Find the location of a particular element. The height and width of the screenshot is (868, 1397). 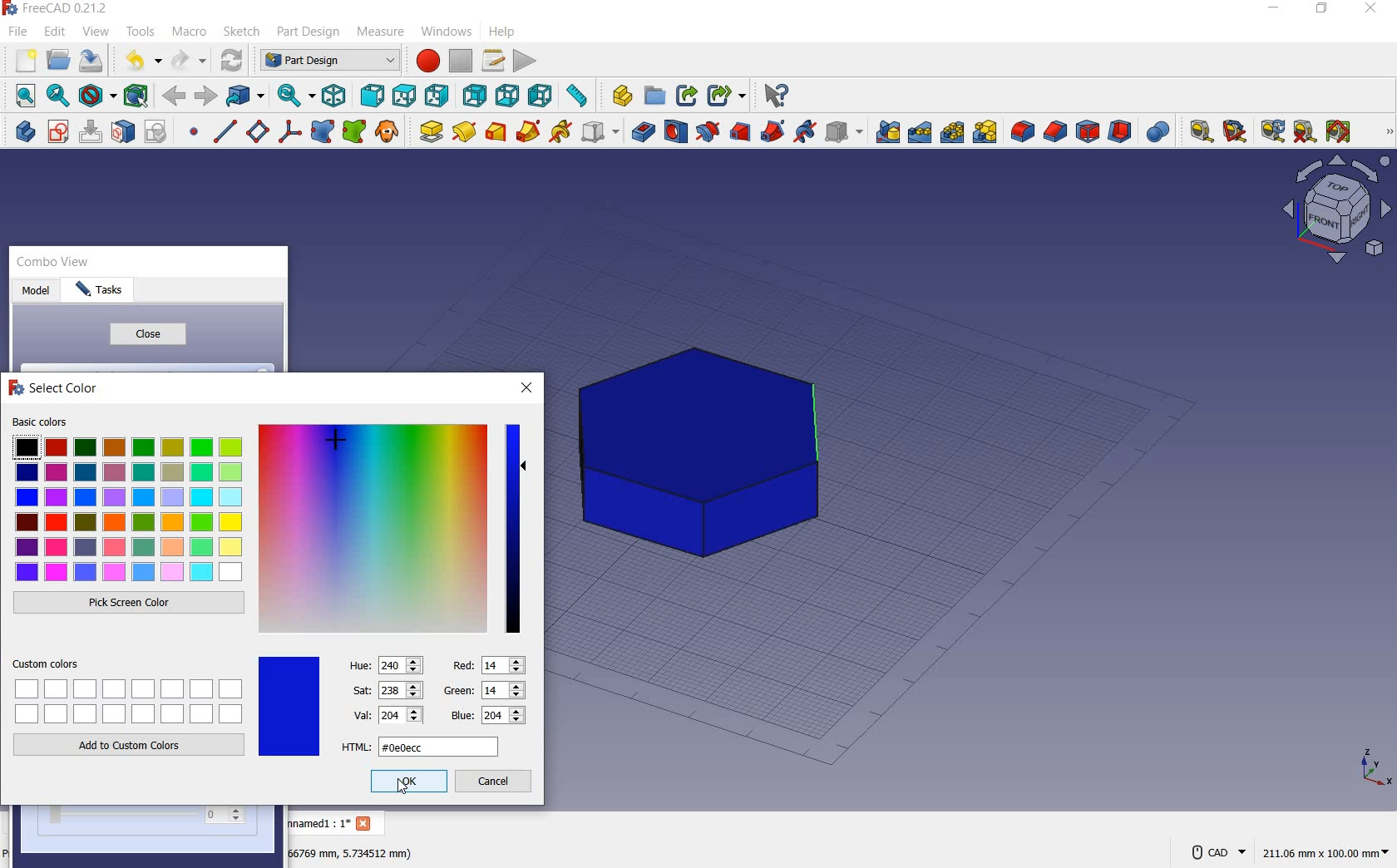

bounding box is located at coordinates (136, 96).